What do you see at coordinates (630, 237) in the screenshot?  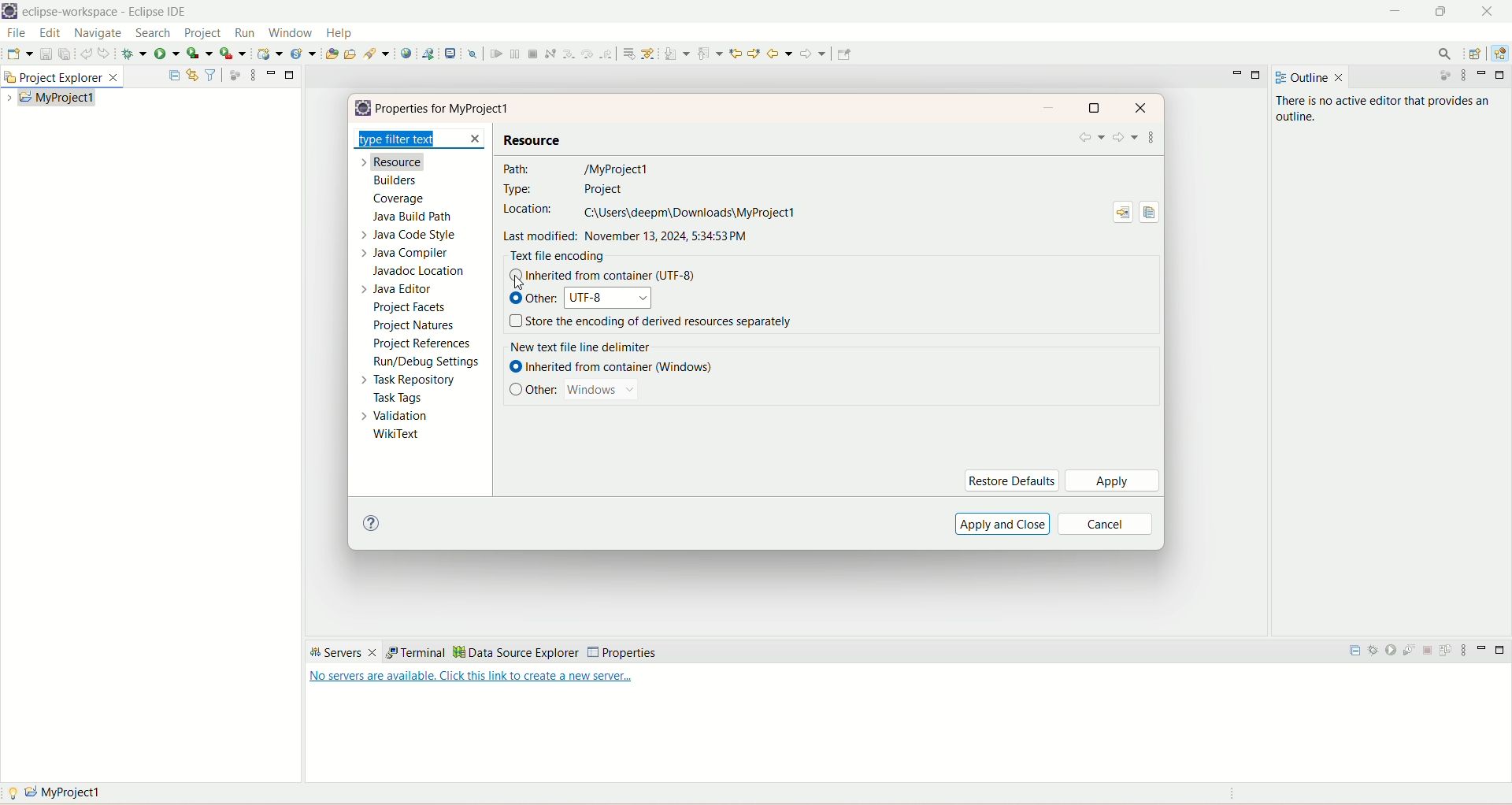 I see `last modified` at bounding box center [630, 237].